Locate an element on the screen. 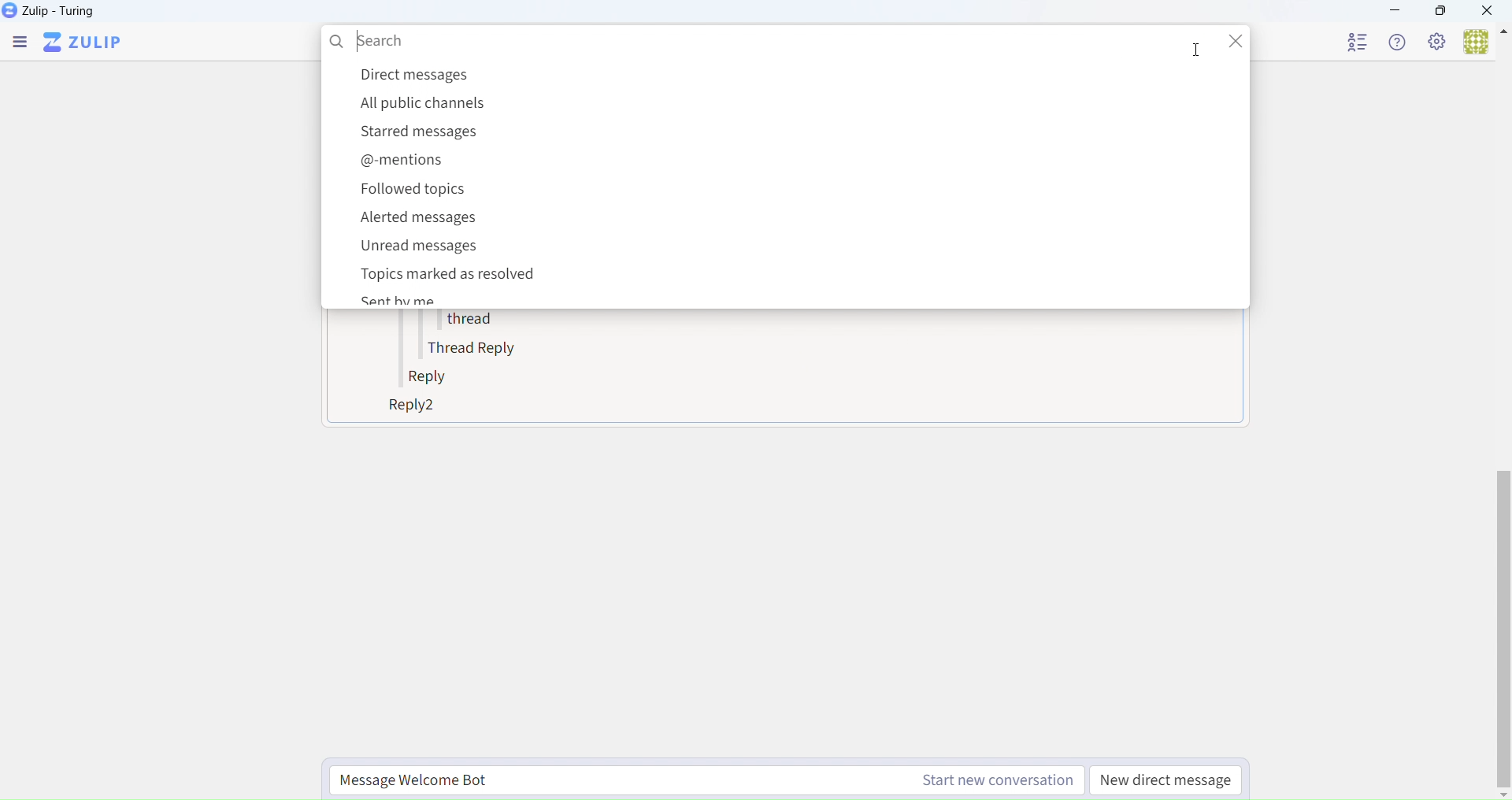 The height and width of the screenshot is (800, 1512).  is located at coordinates (1390, 10).